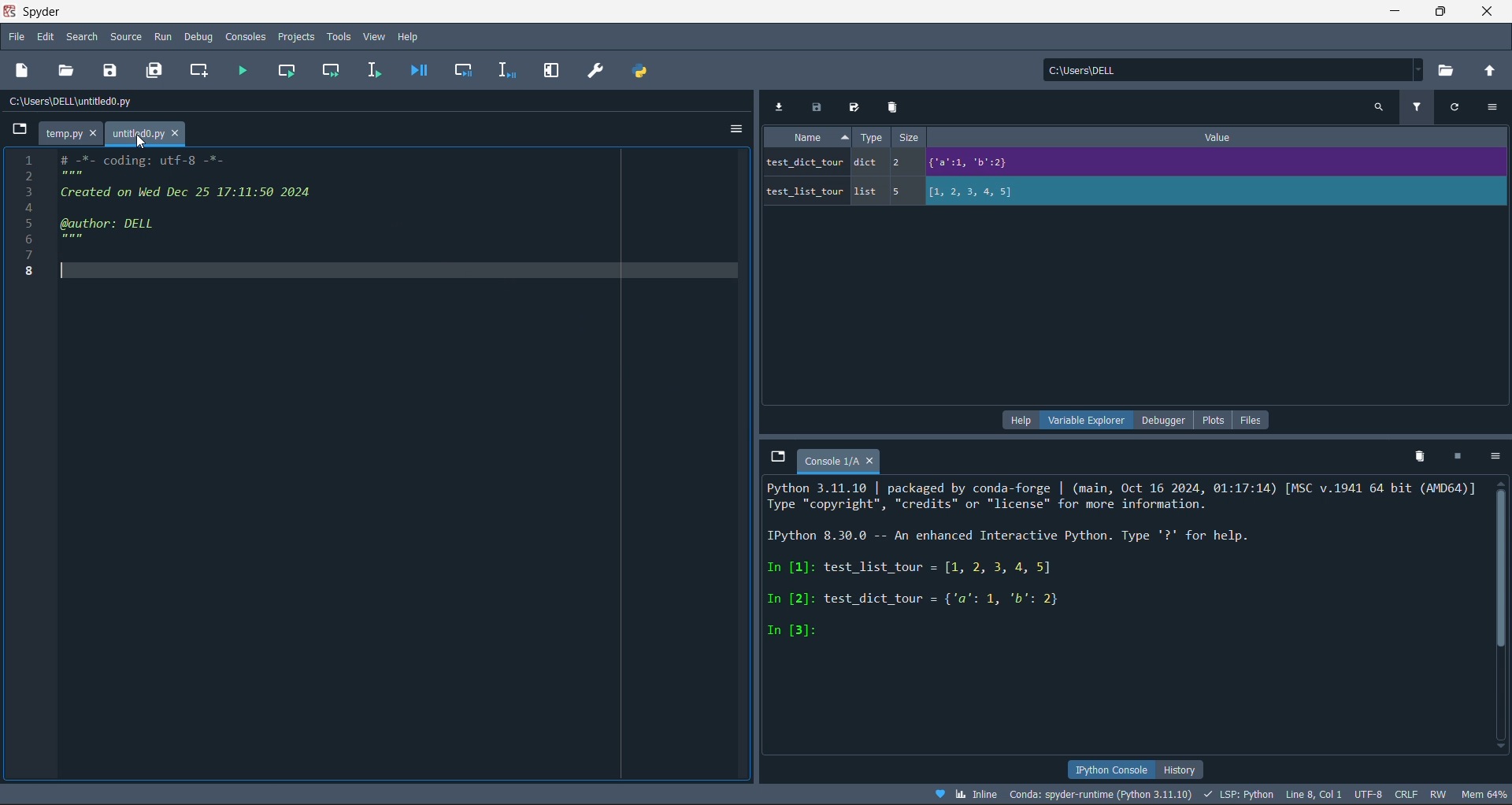 The height and width of the screenshot is (805, 1512). I want to click on save data as, so click(852, 106).